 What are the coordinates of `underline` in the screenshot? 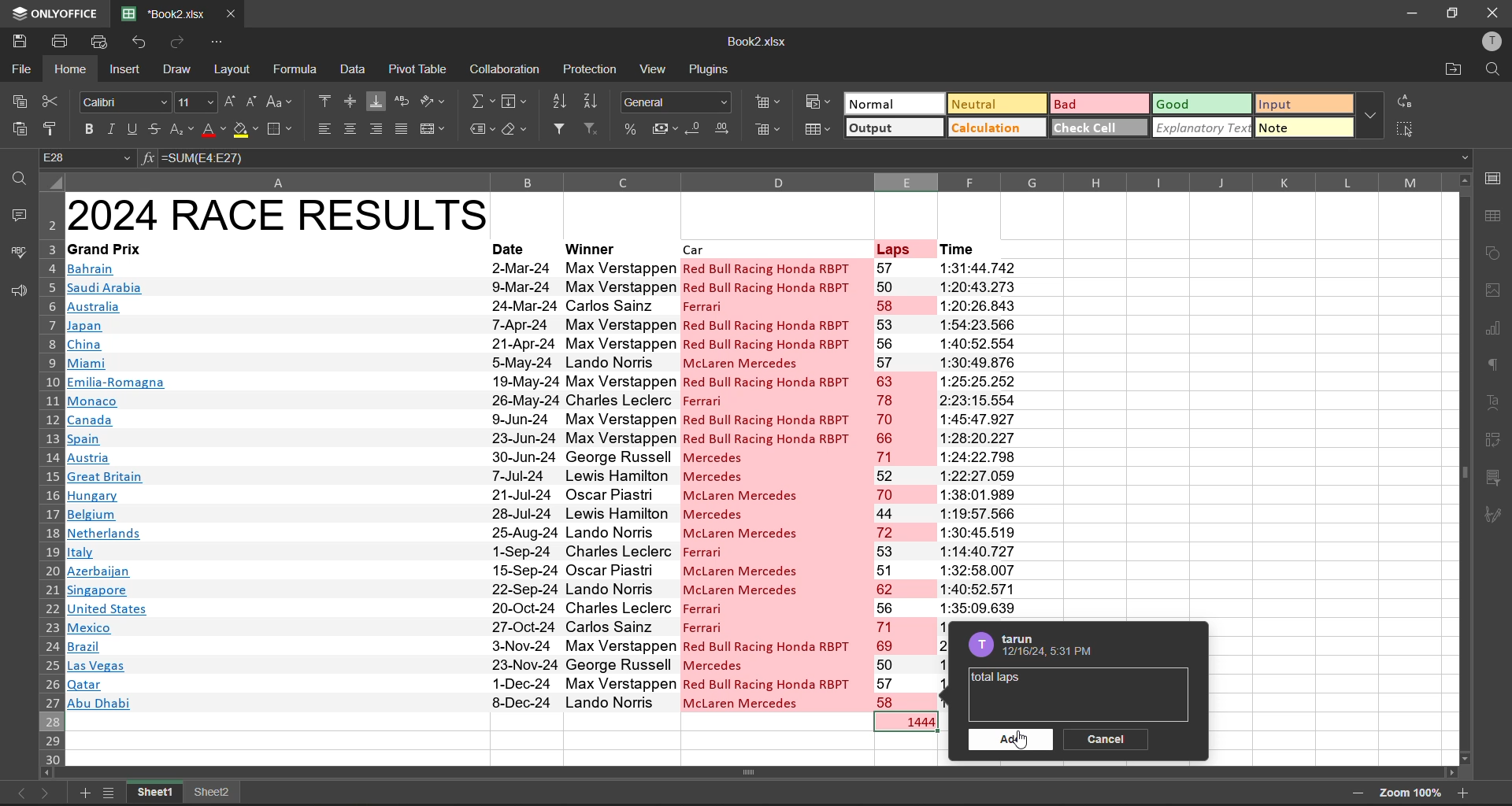 It's located at (133, 128).